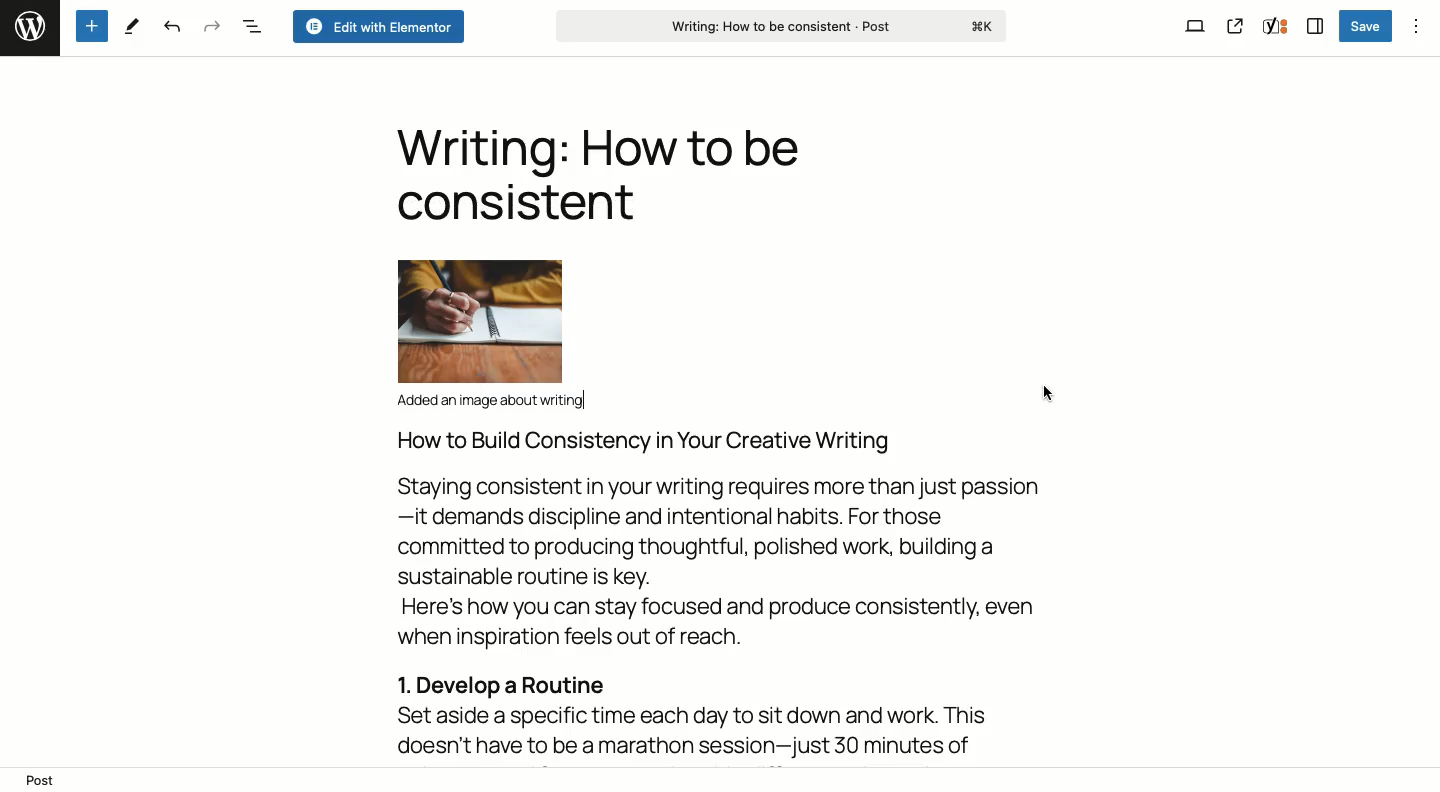 Image resolution: width=1440 pixels, height=792 pixels. What do you see at coordinates (209, 25) in the screenshot?
I see `Redo` at bounding box center [209, 25].